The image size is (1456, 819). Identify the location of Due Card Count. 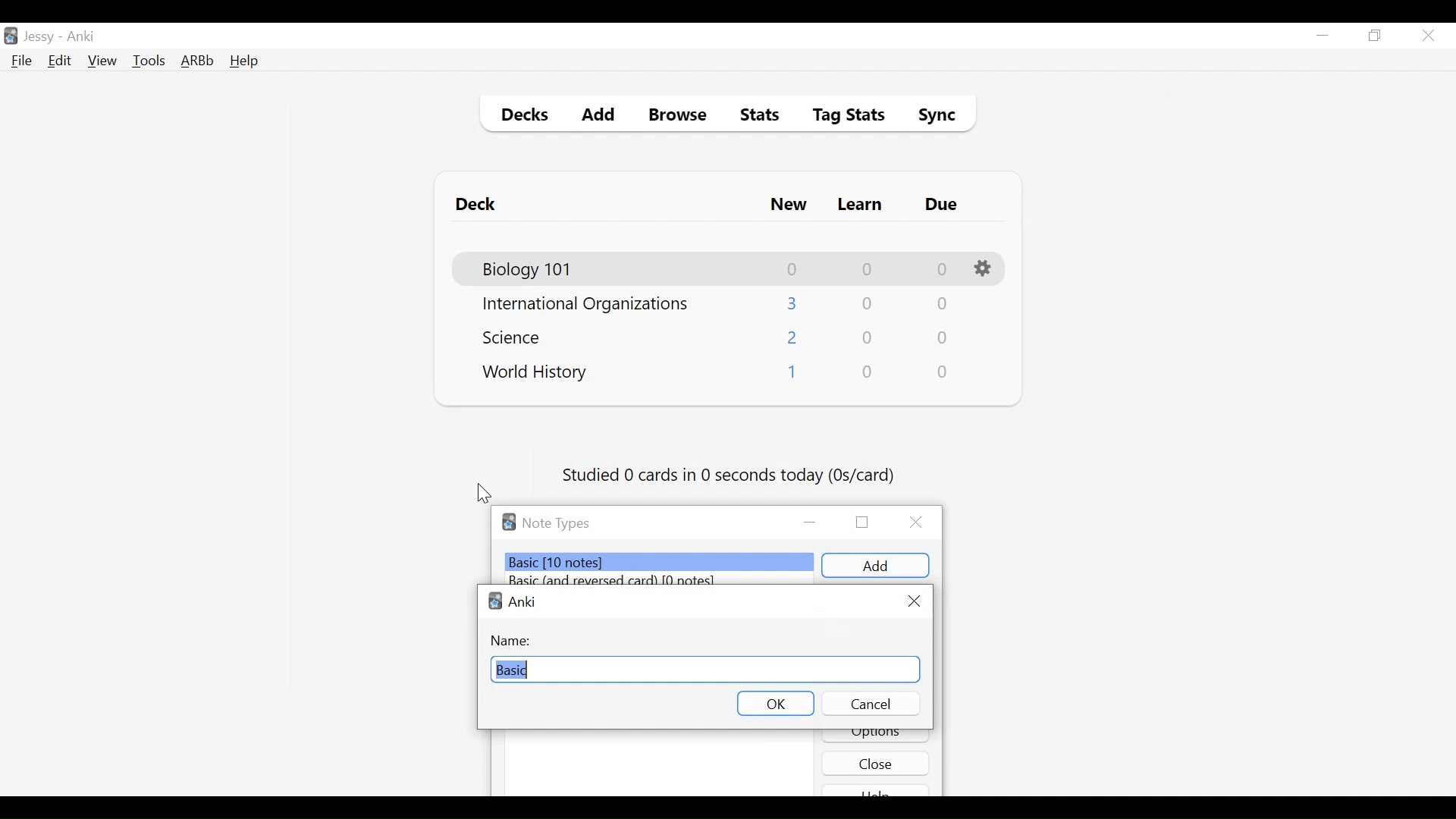
(943, 339).